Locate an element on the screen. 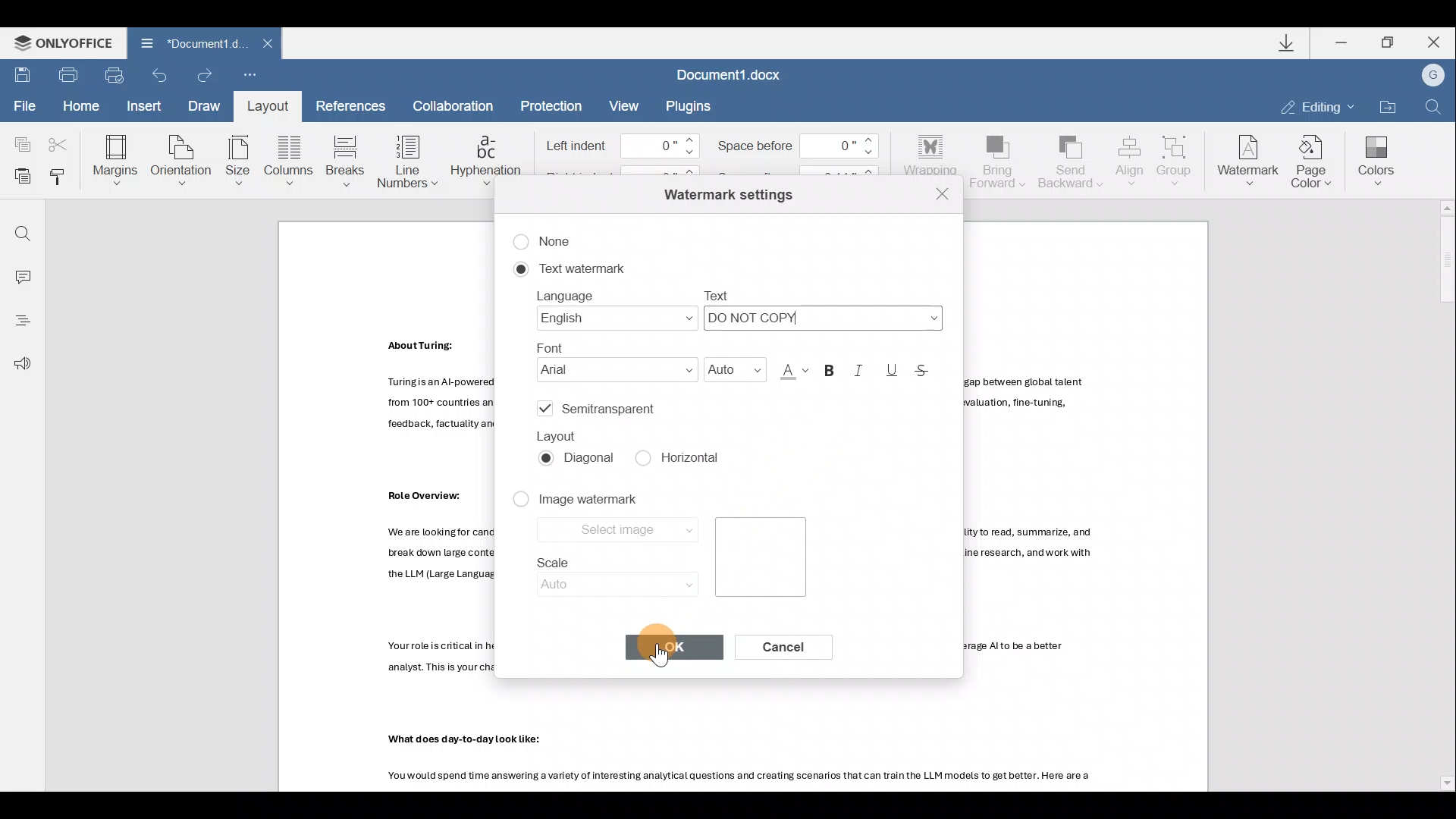 Image resolution: width=1456 pixels, height=819 pixels. Watermark is located at coordinates (1250, 158).